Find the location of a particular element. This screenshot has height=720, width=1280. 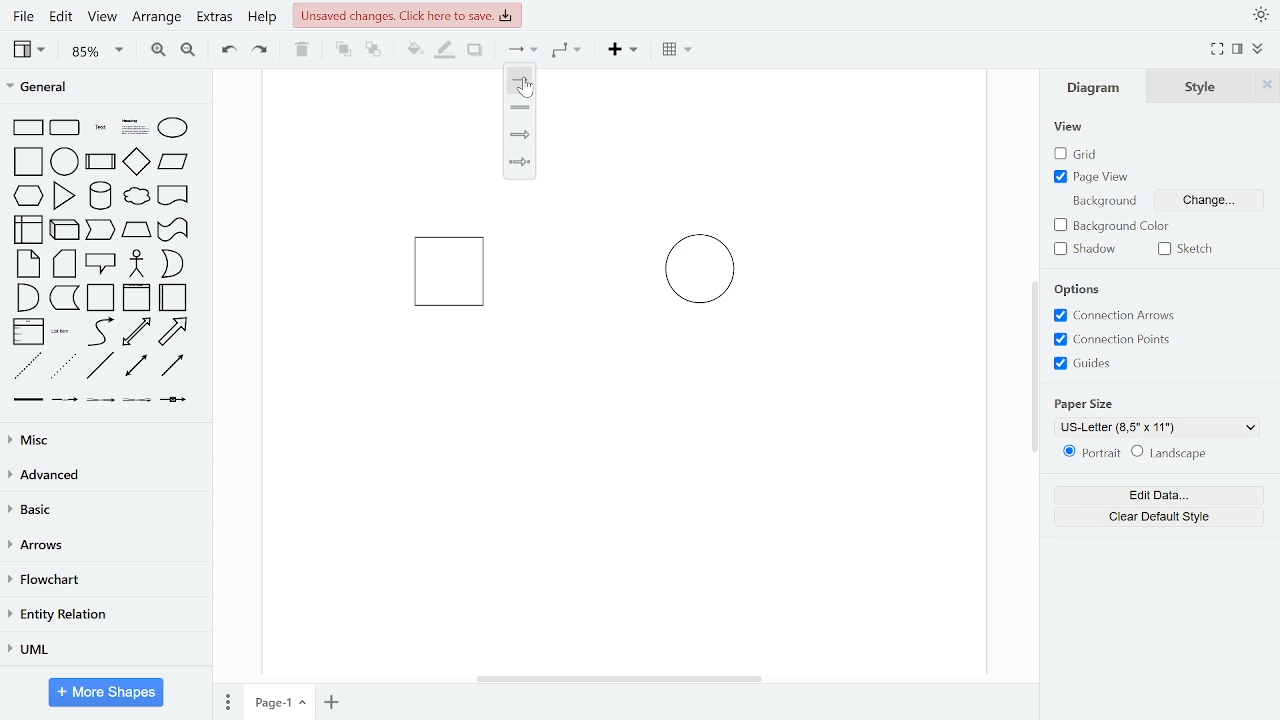

shadow is located at coordinates (1090, 249).